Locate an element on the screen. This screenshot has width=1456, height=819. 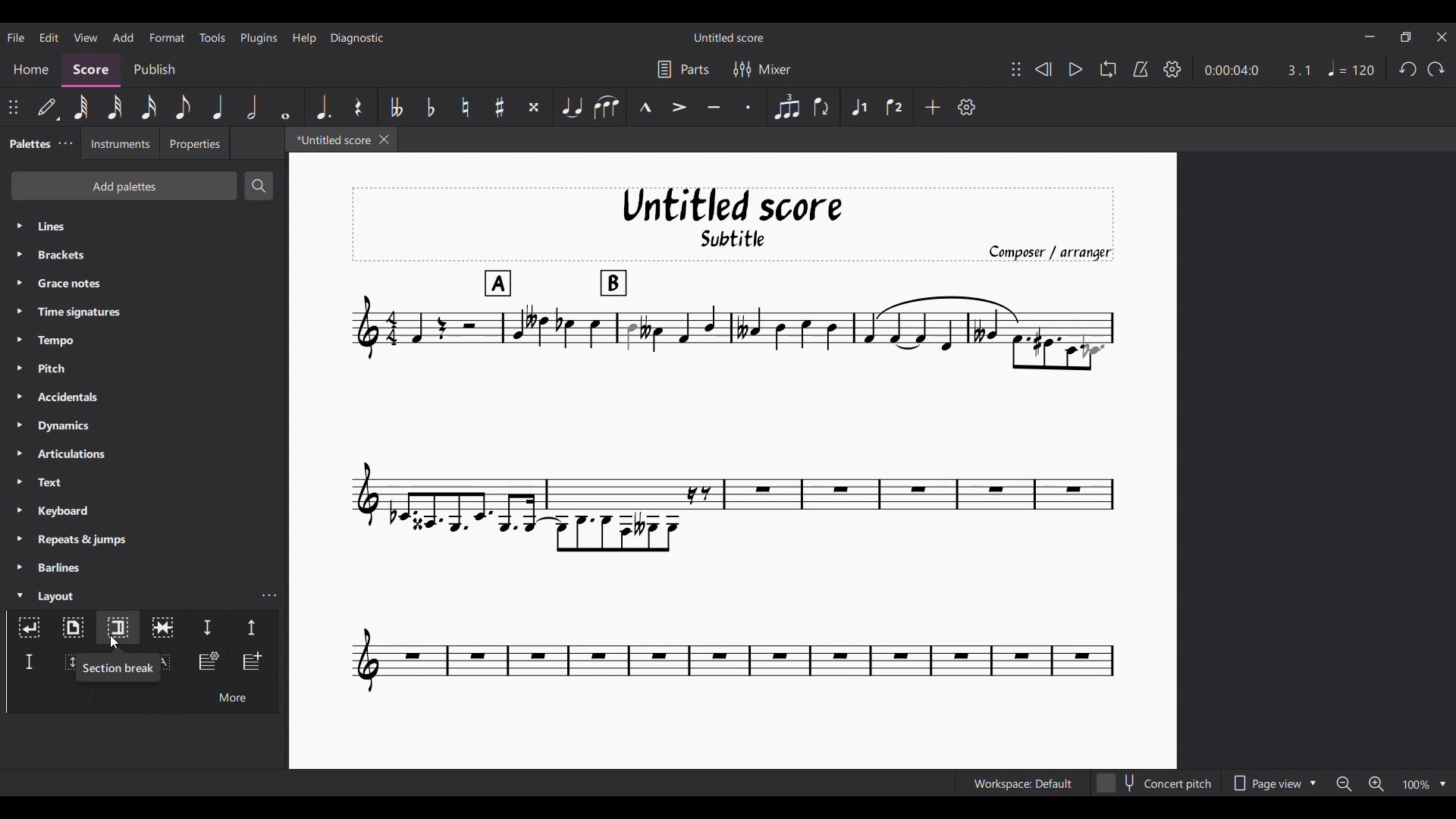
Barlines is located at coordinates (144, 567).